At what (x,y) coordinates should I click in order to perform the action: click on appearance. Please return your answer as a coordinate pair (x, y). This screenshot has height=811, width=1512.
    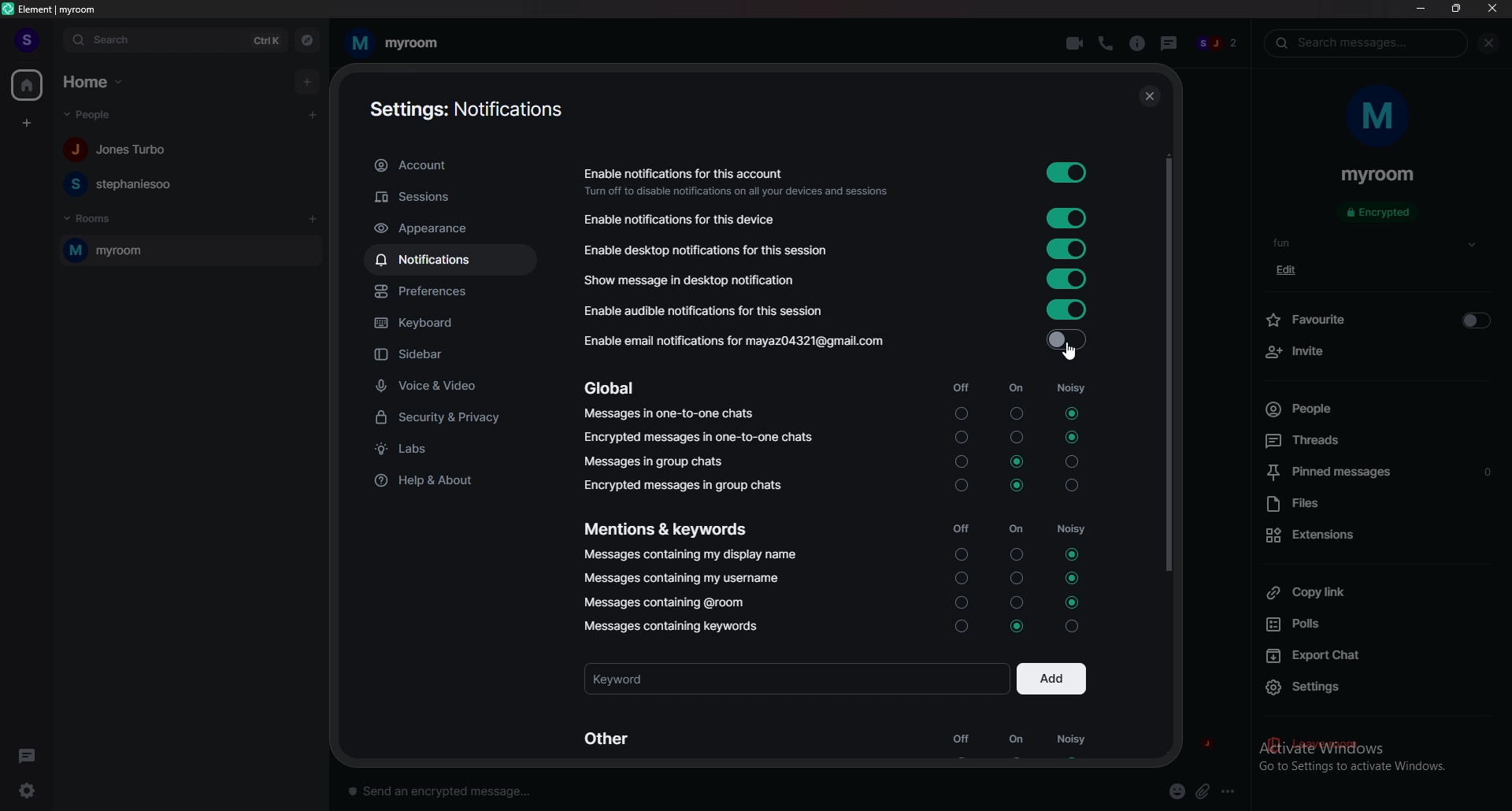
    Looking at the image, I should click on (452, 228).